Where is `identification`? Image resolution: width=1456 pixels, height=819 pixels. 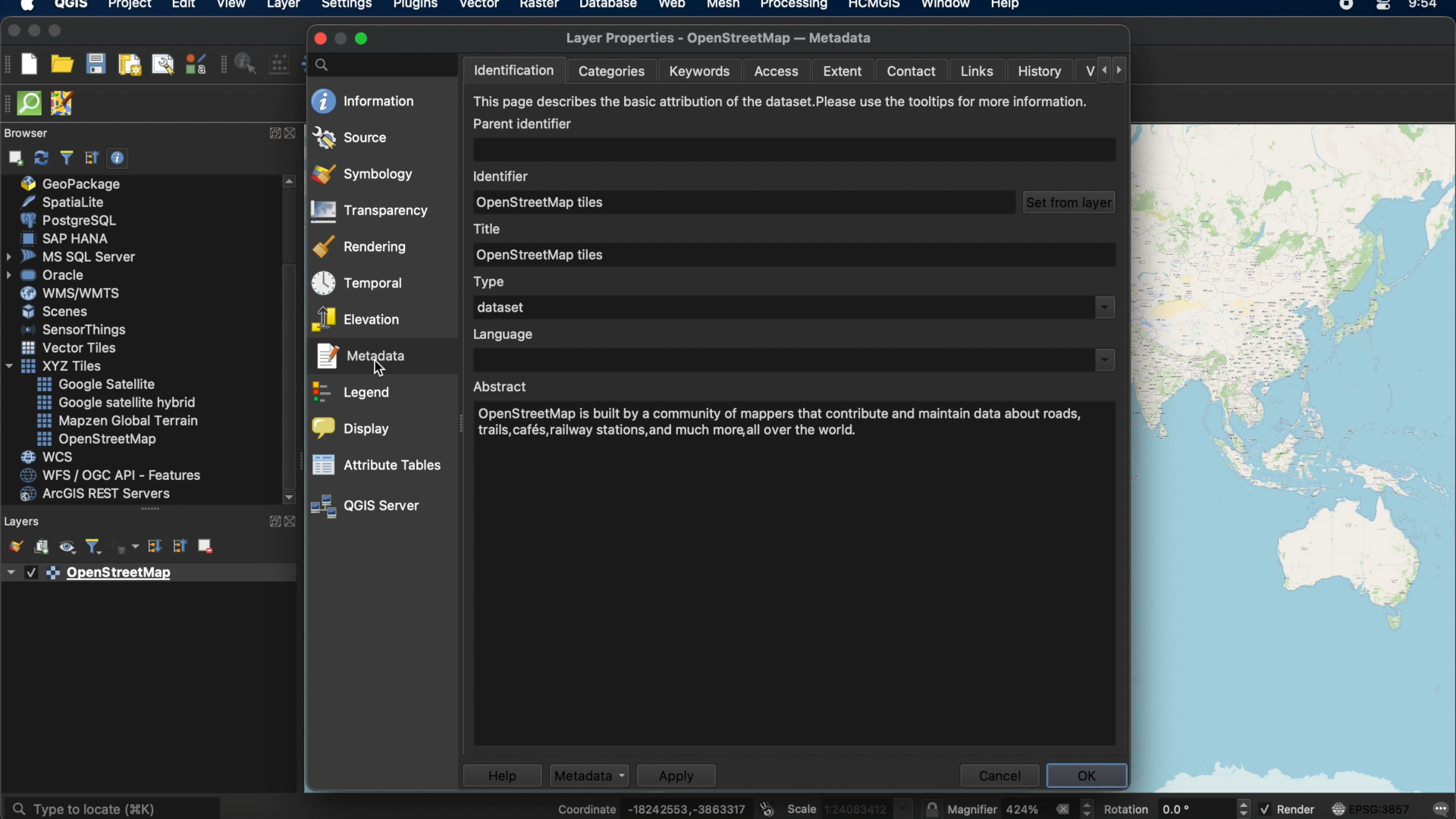 identification is located at coordinates (512, 71).